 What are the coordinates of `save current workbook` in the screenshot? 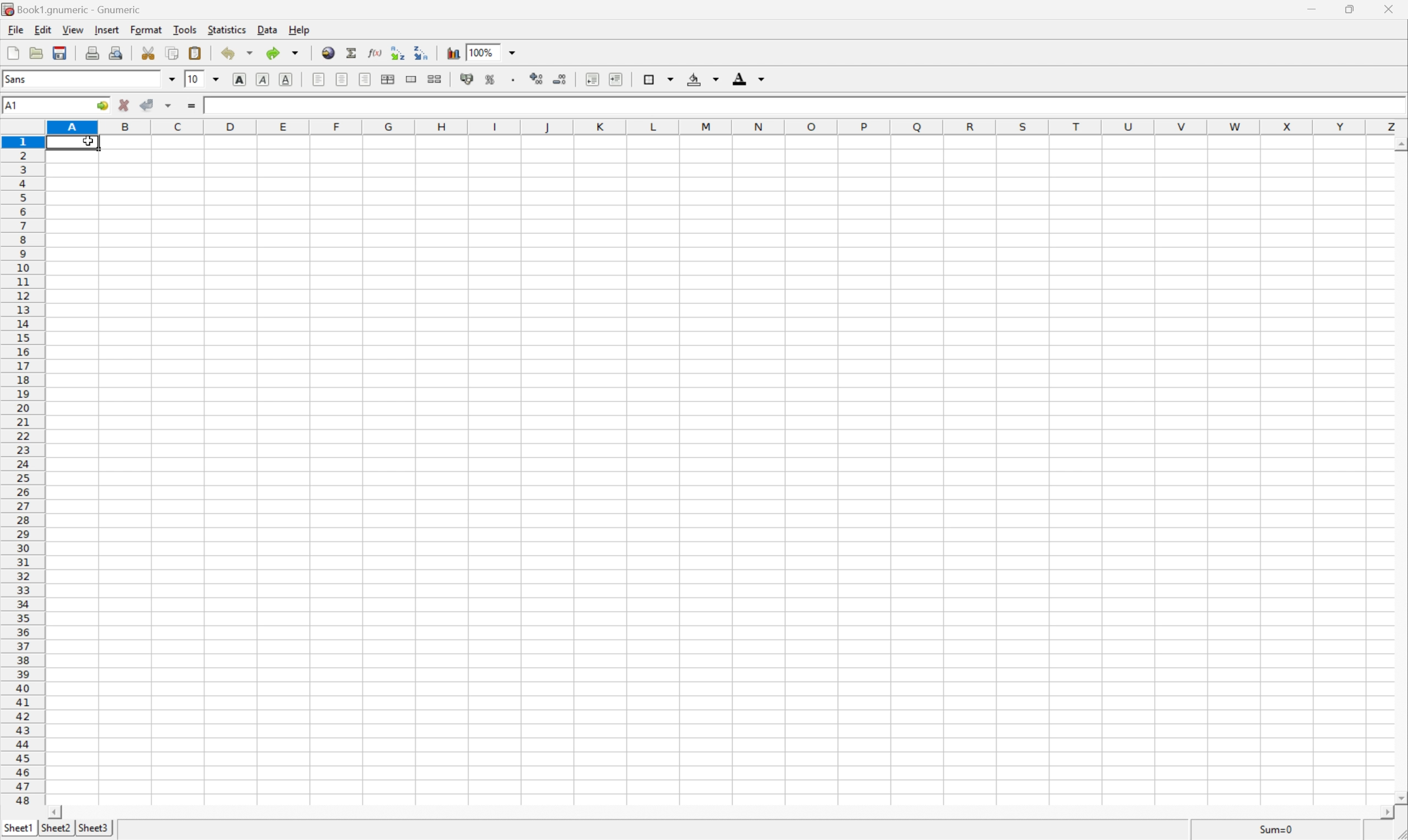 It's located at (62, 51).